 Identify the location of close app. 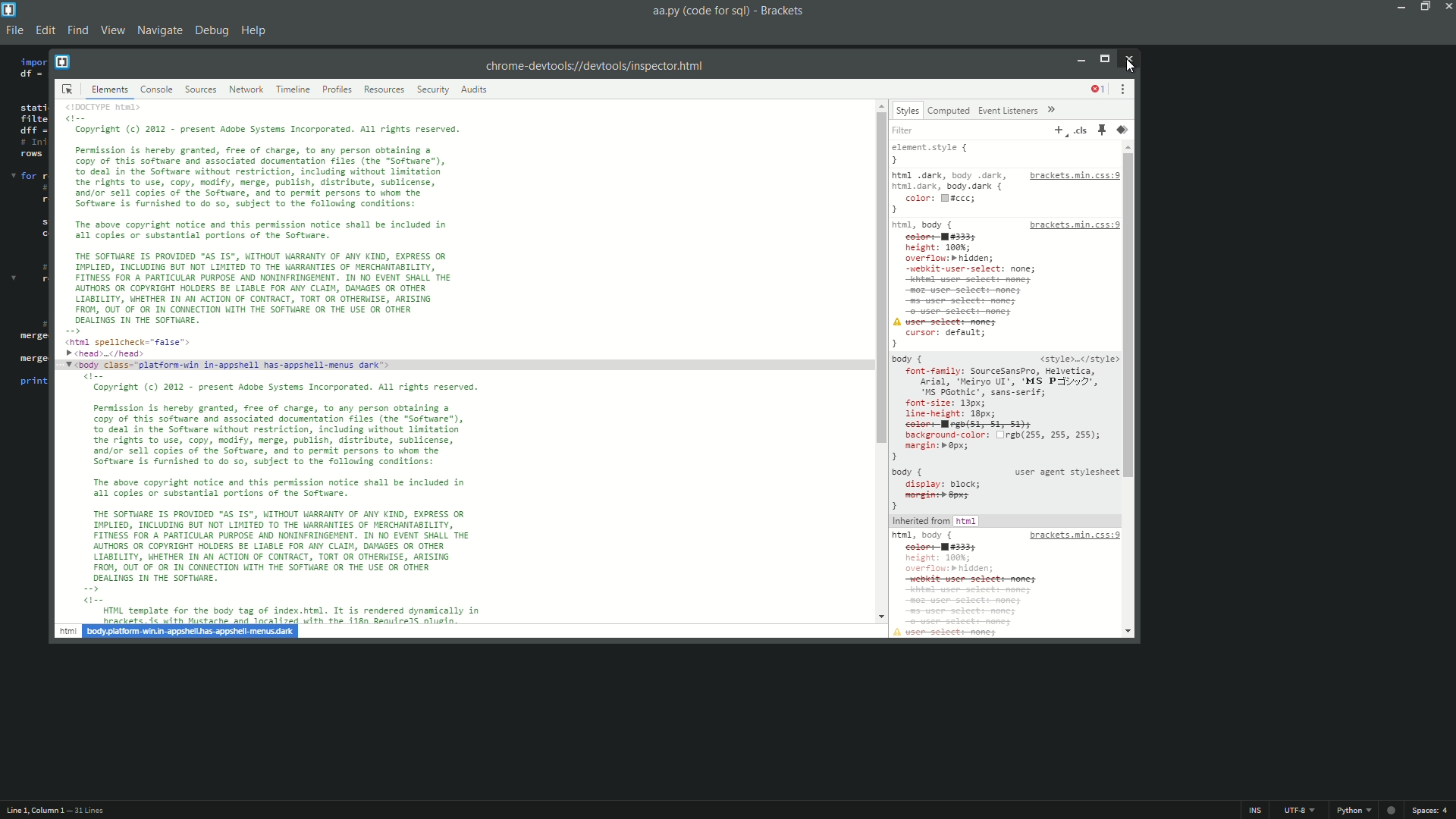
(1447, 6).